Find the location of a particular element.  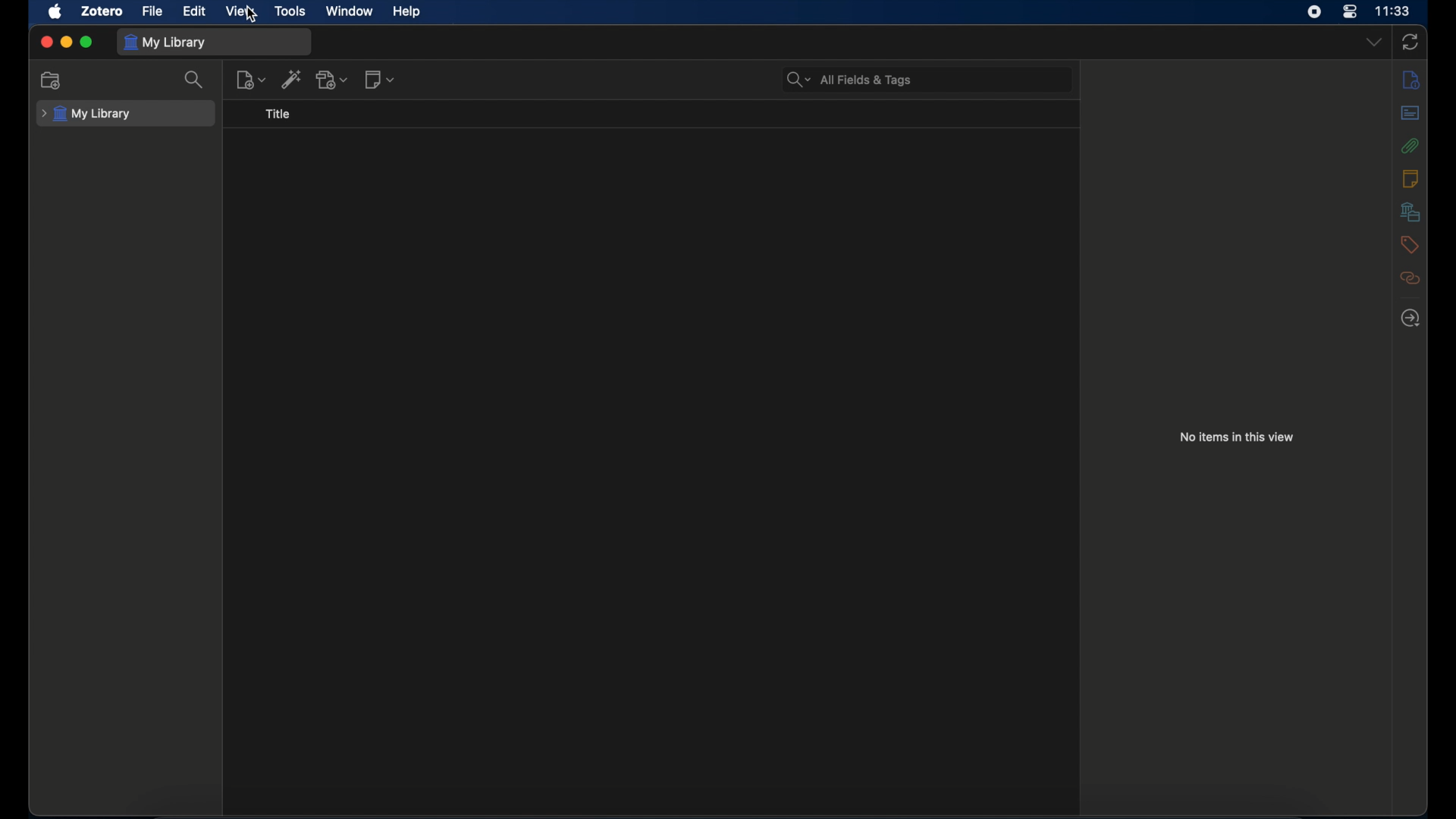

view is located at coordinates (240, 11).